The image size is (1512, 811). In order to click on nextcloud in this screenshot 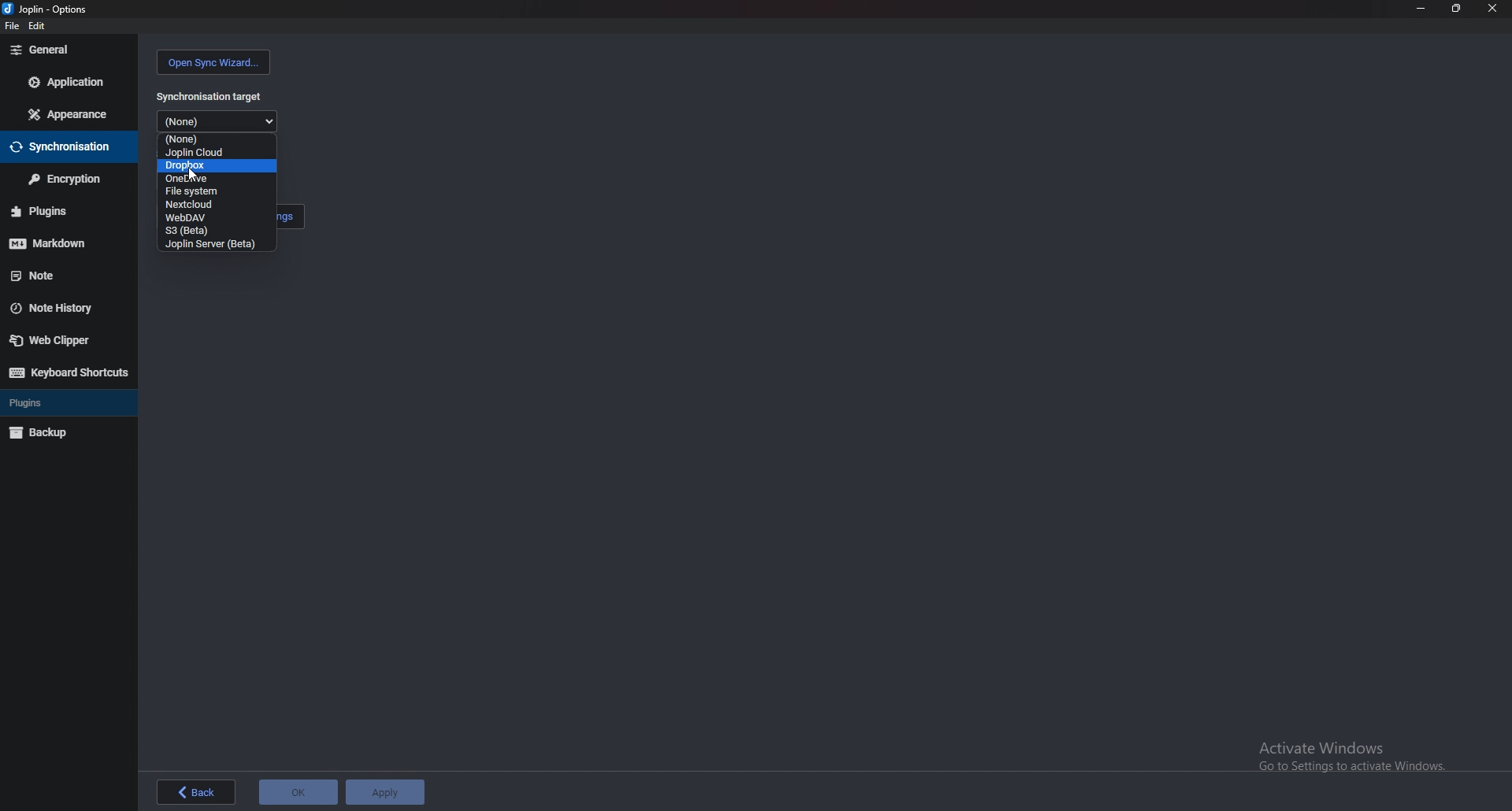, I will do `click(202, 204)`.